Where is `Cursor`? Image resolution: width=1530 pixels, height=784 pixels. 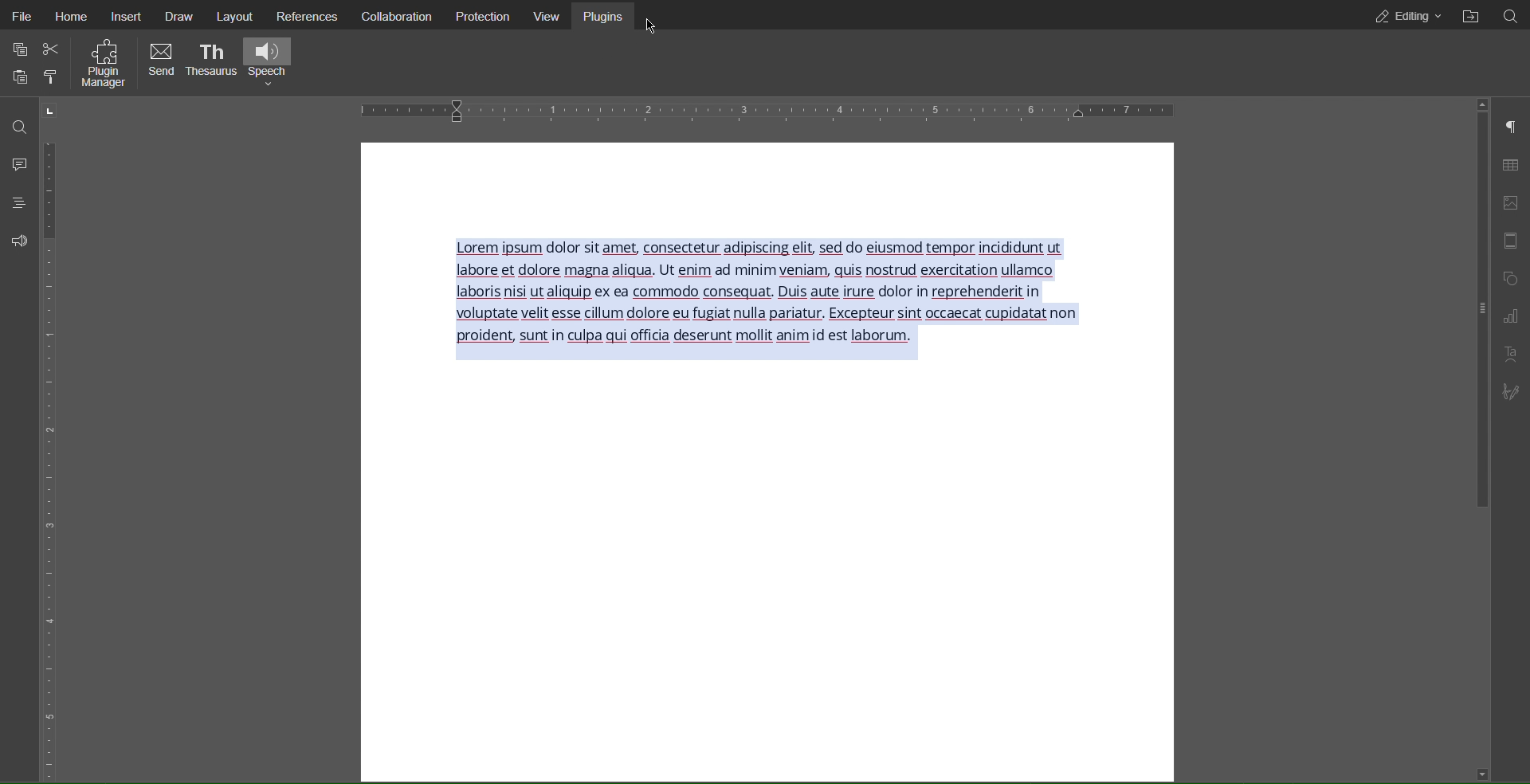
Cursor is located at coordinates (649, 26).